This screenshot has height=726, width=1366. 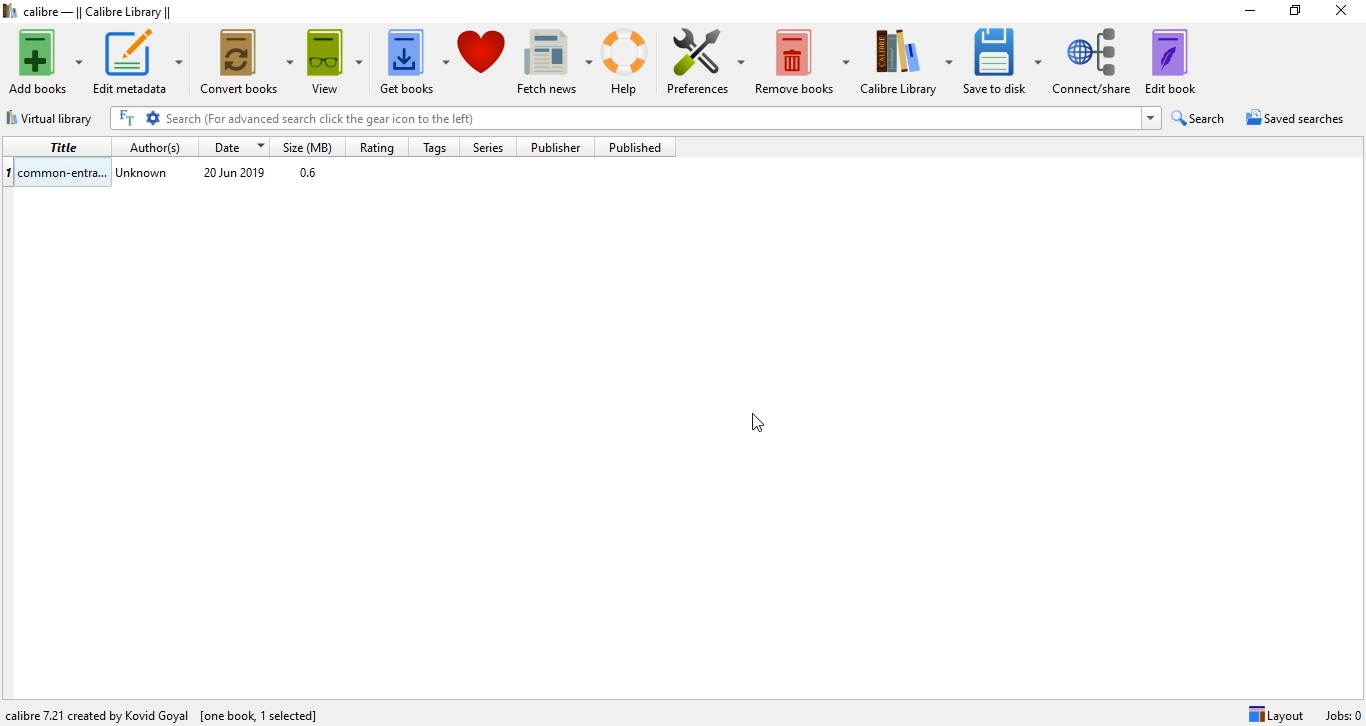 What do you see at coordinates (483, 60) in the screenshot?
I see `Donate to calibre` at bounding box center [483, 60].